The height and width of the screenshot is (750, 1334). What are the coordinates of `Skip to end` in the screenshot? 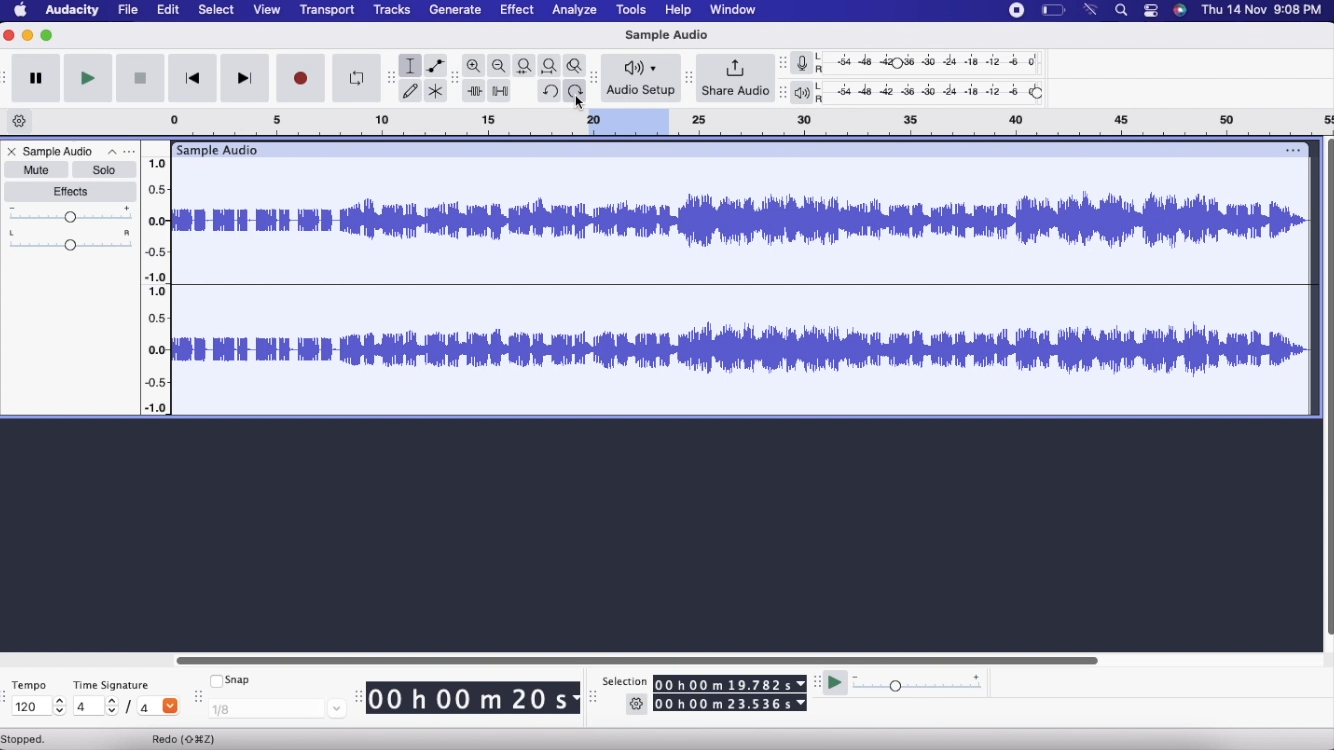 It's located at (247, 79).